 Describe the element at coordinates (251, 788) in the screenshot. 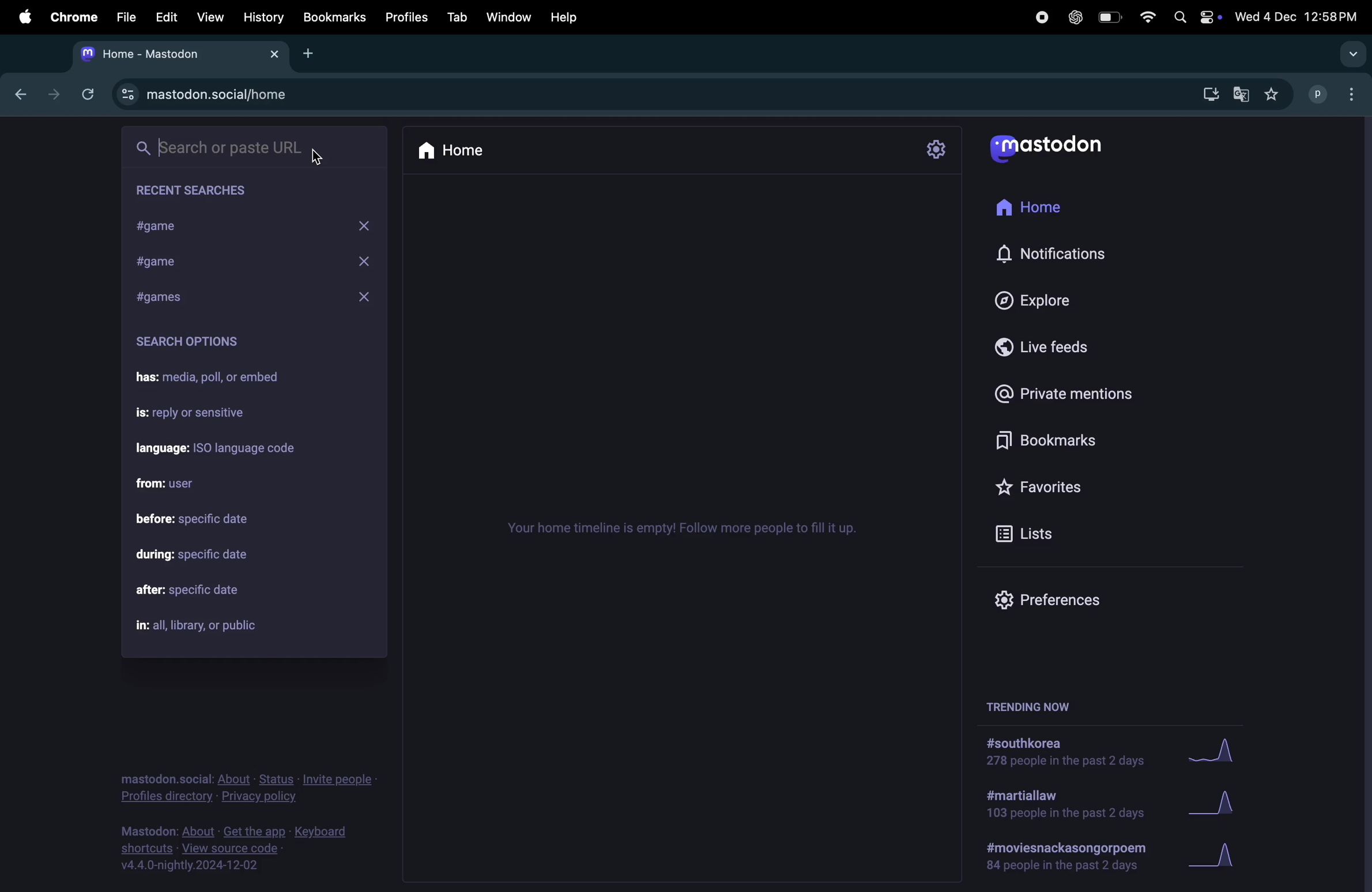

I see `privacy and policy` at that location.